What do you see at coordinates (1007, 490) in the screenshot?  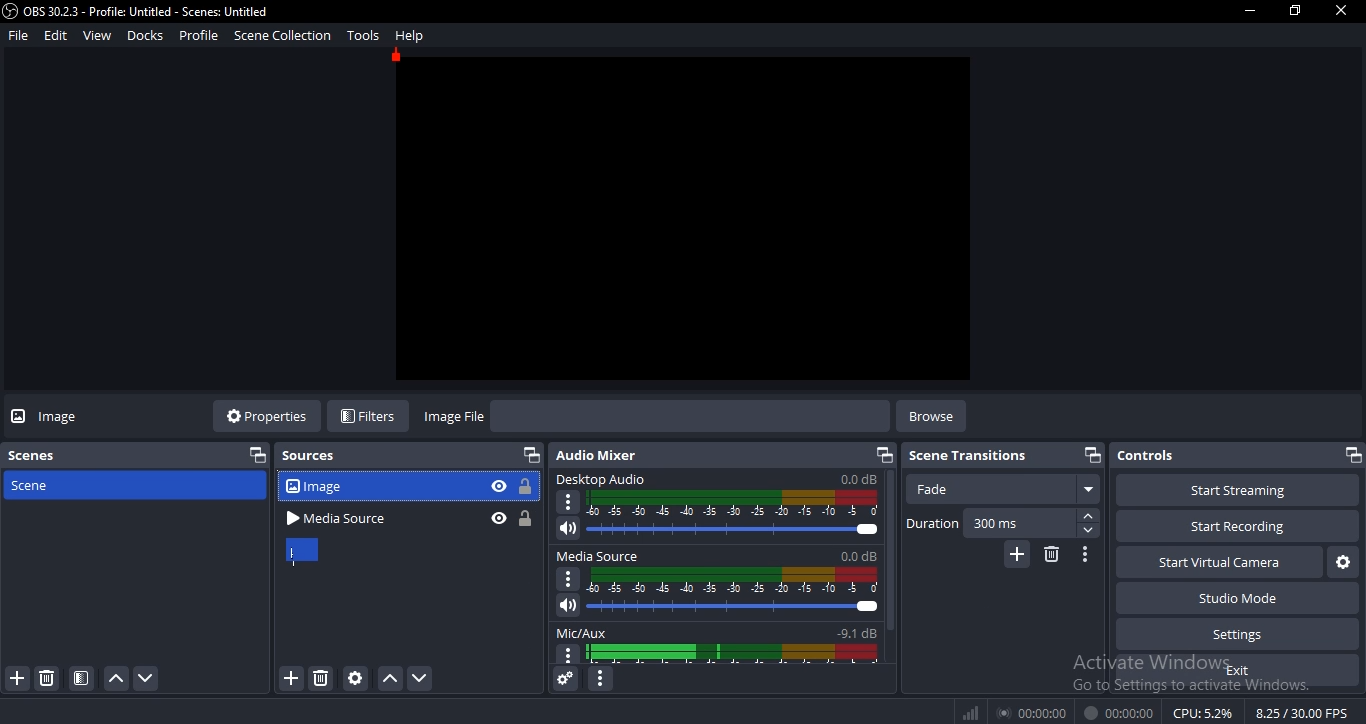 I see `fade` at bounding box center [1007, 490].